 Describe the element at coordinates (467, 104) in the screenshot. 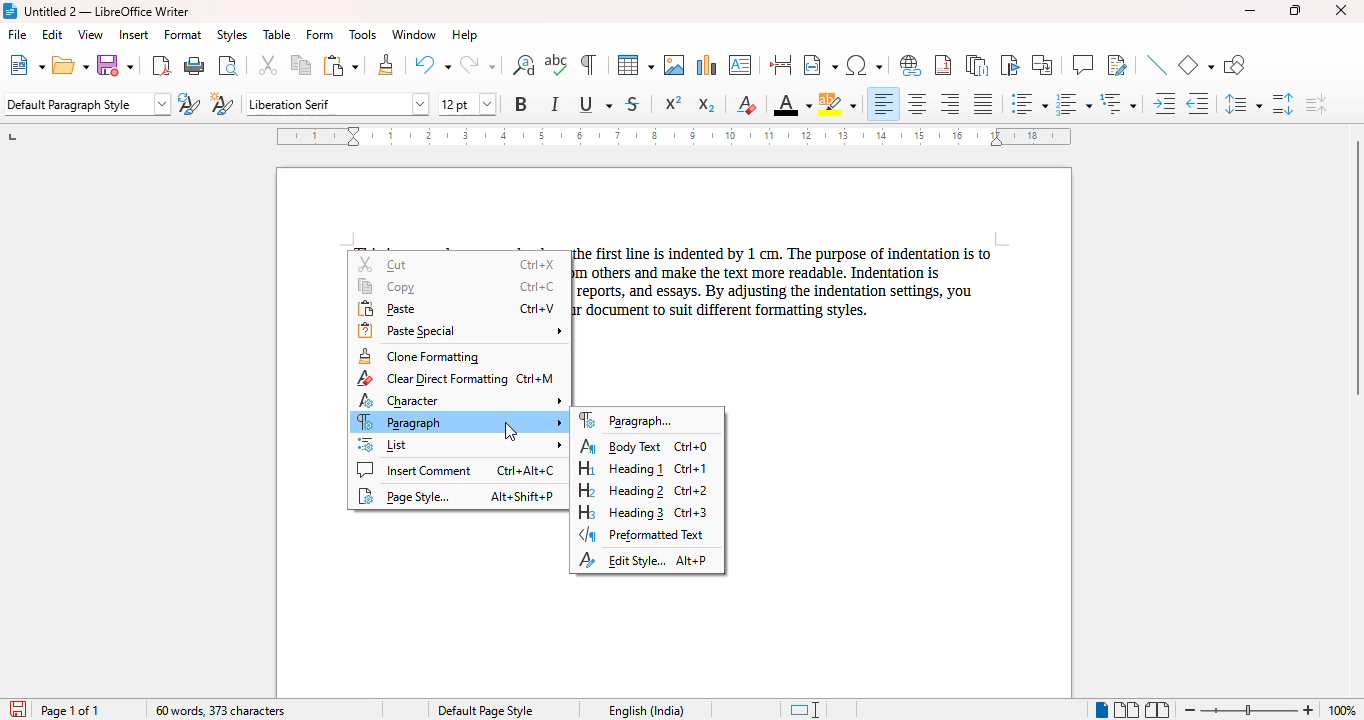

I see `font size` at that location.